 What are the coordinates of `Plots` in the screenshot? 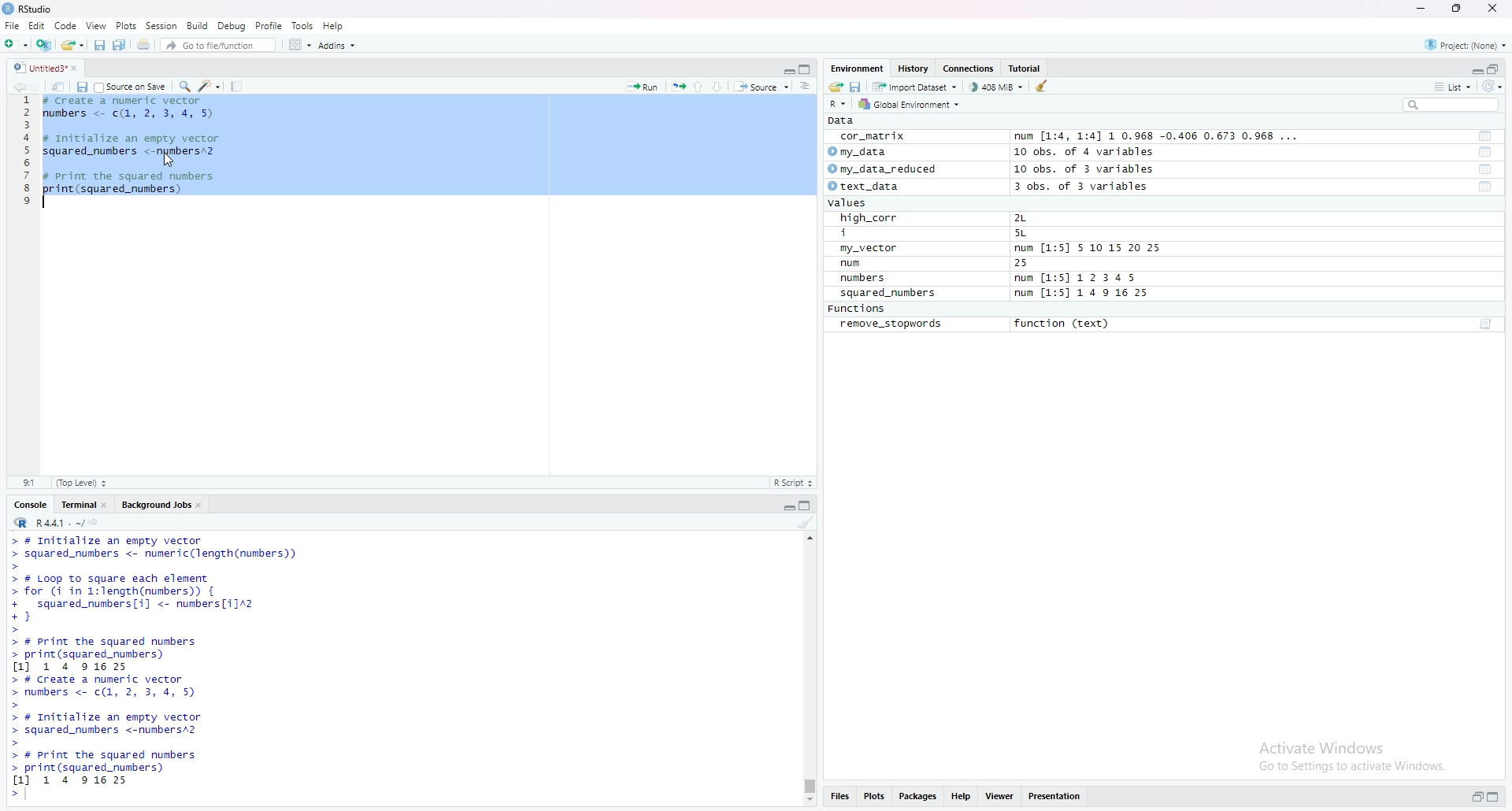 It's located at (874, 798).